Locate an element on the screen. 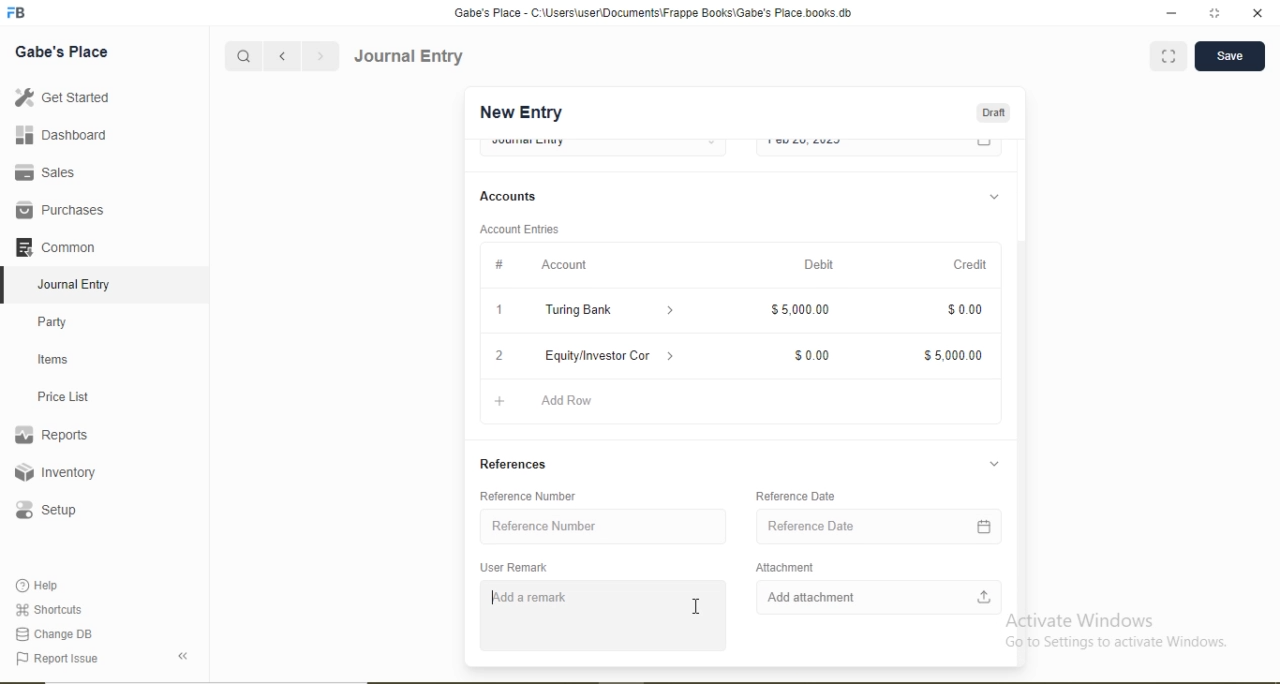  Setup is located at coordinates (45, 510).